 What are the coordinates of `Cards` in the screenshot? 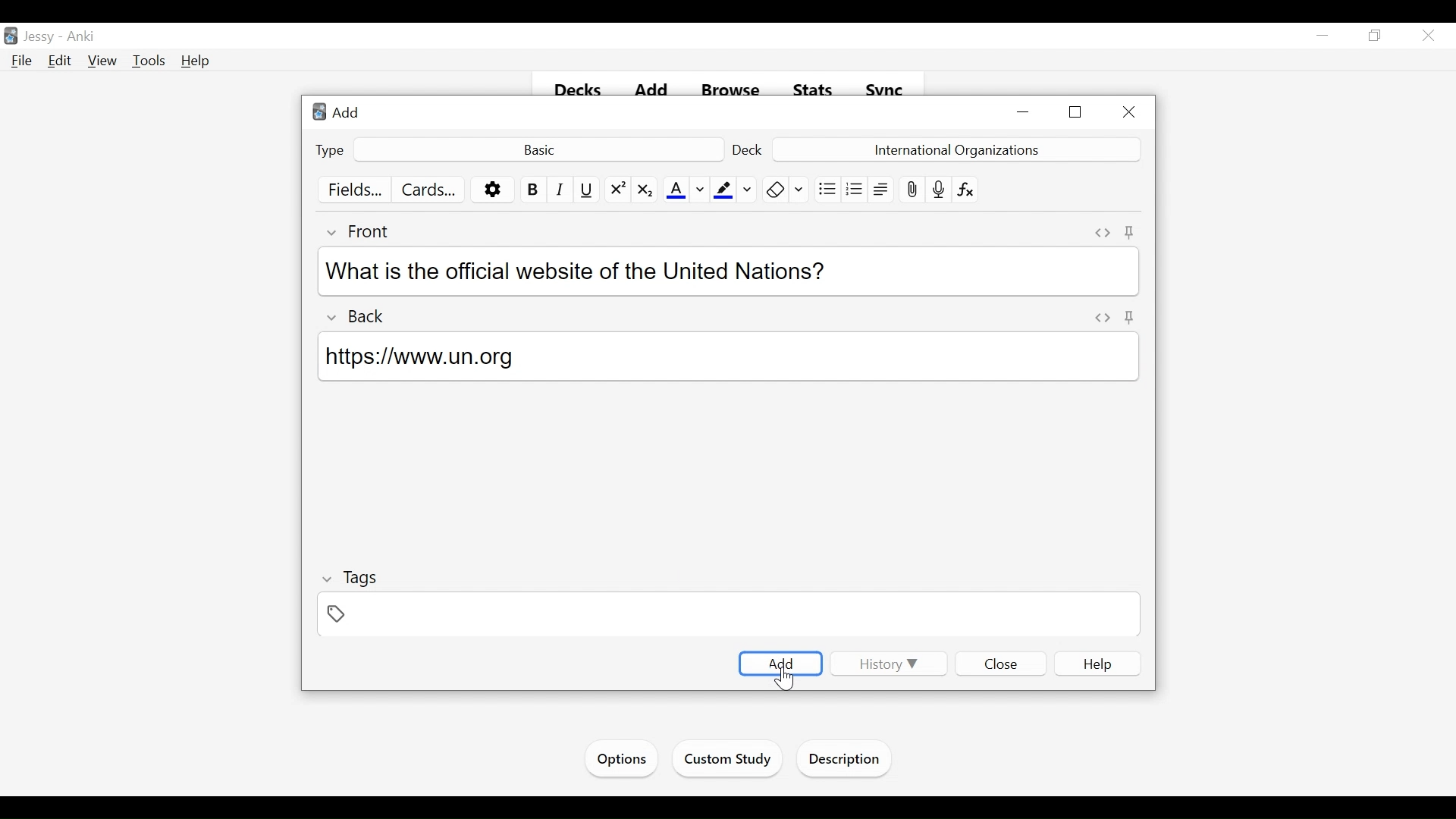 It's located at (426, 189).